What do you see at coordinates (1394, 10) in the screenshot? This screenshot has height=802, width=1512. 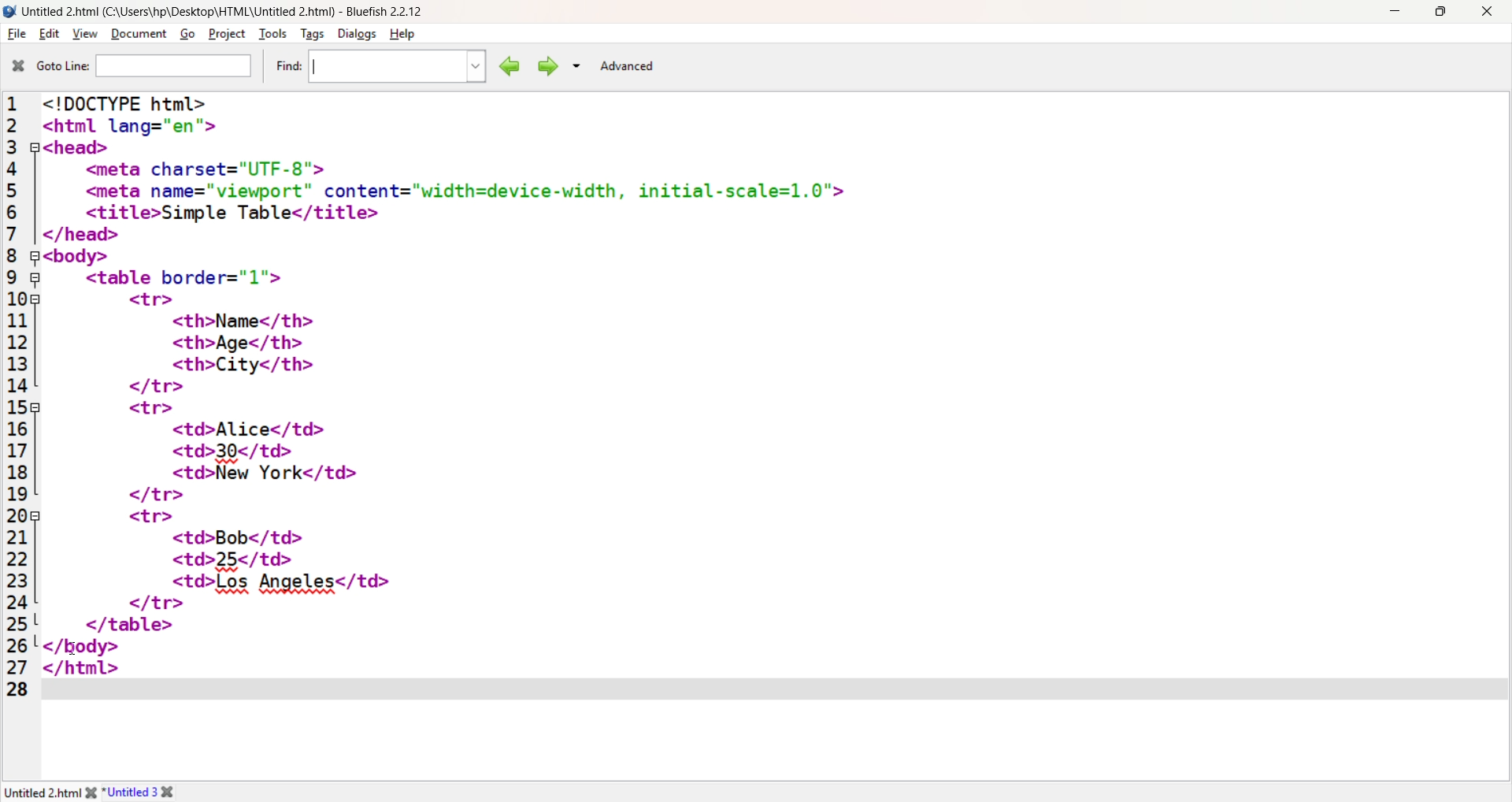 I see `Minimize` at bounding box center [1394, 10].